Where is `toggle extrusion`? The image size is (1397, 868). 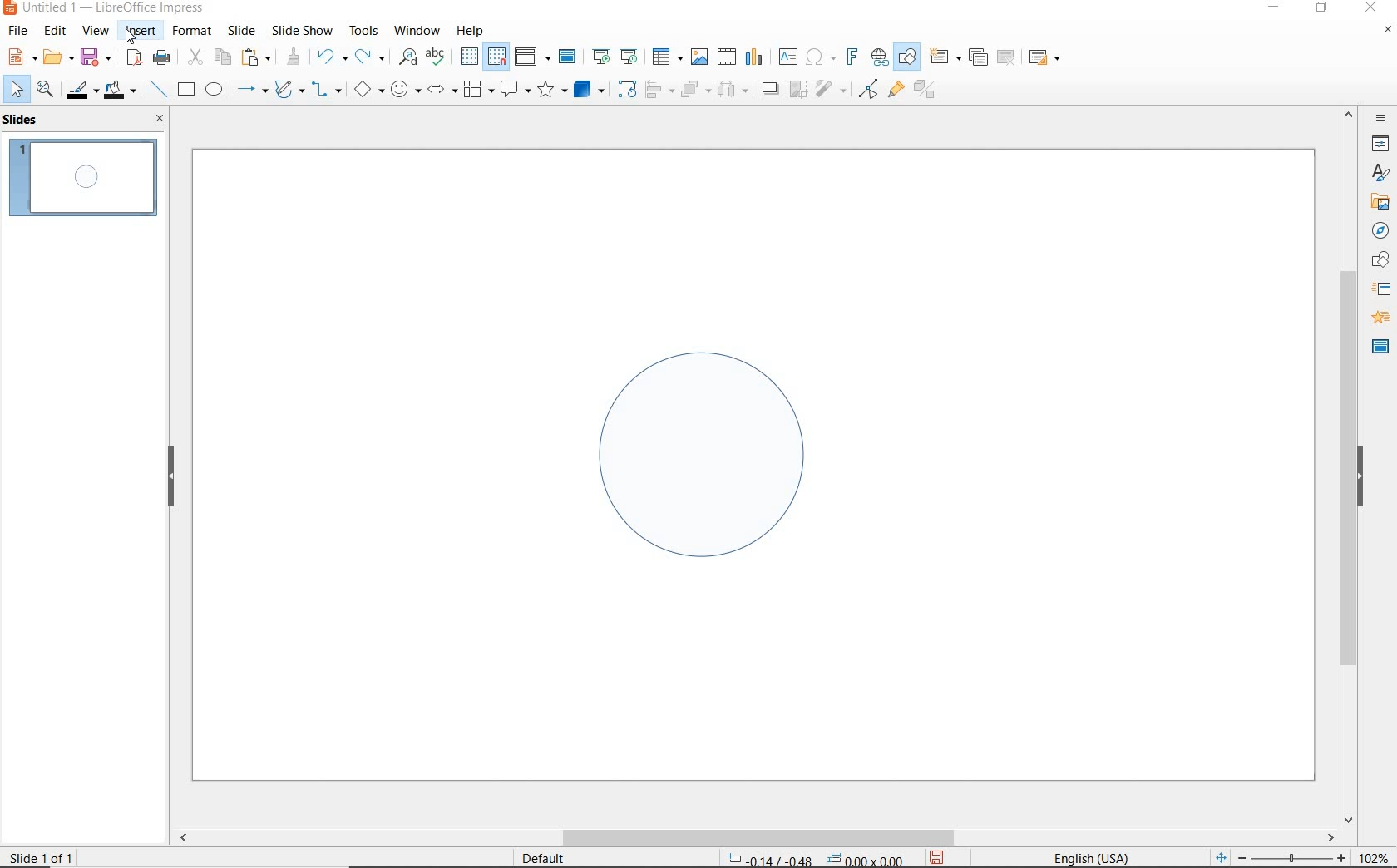
toggle extrusion is located at coordinates (929, 91).